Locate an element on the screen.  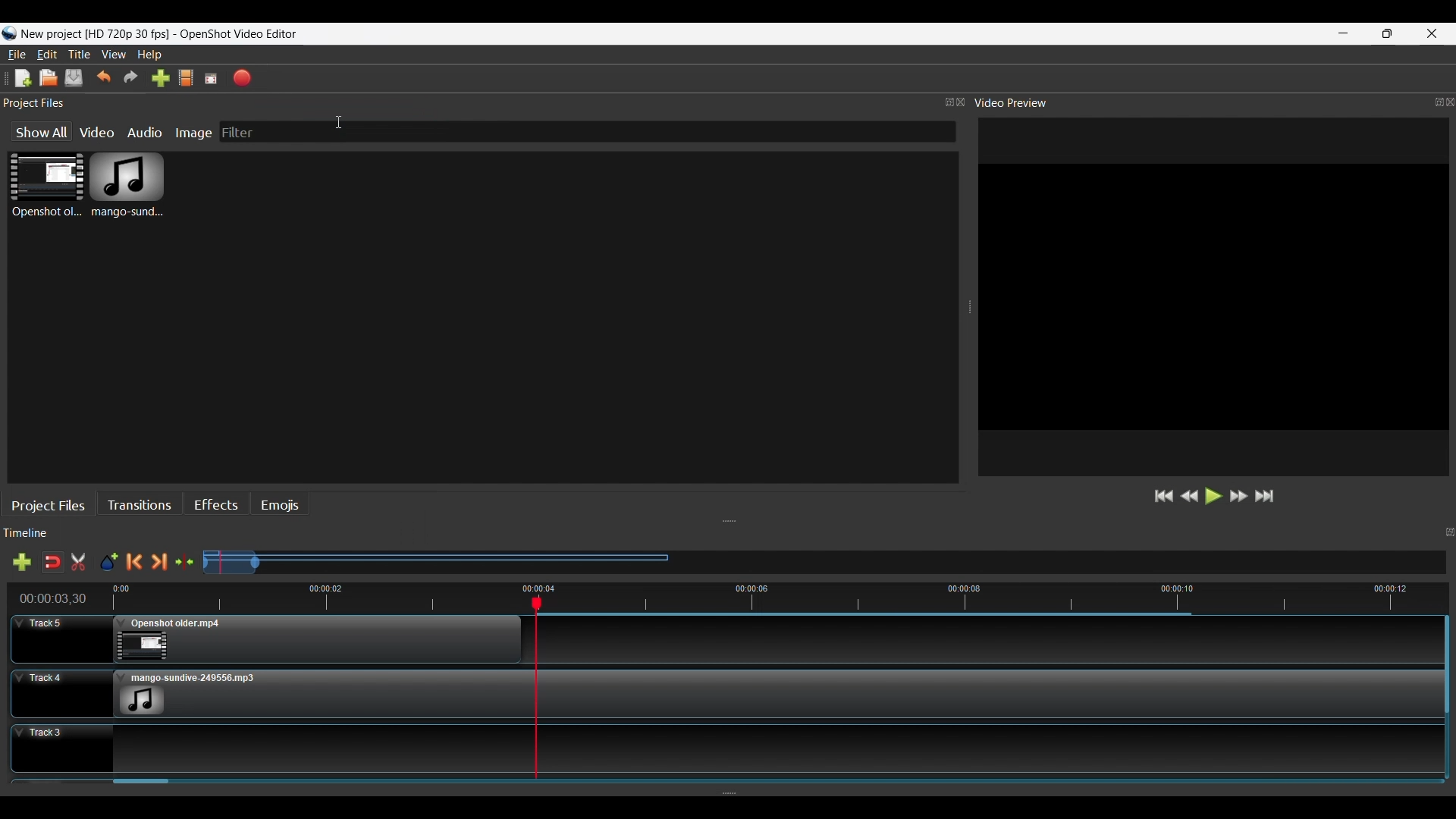
Selected File is located at coordinates (435, 556).